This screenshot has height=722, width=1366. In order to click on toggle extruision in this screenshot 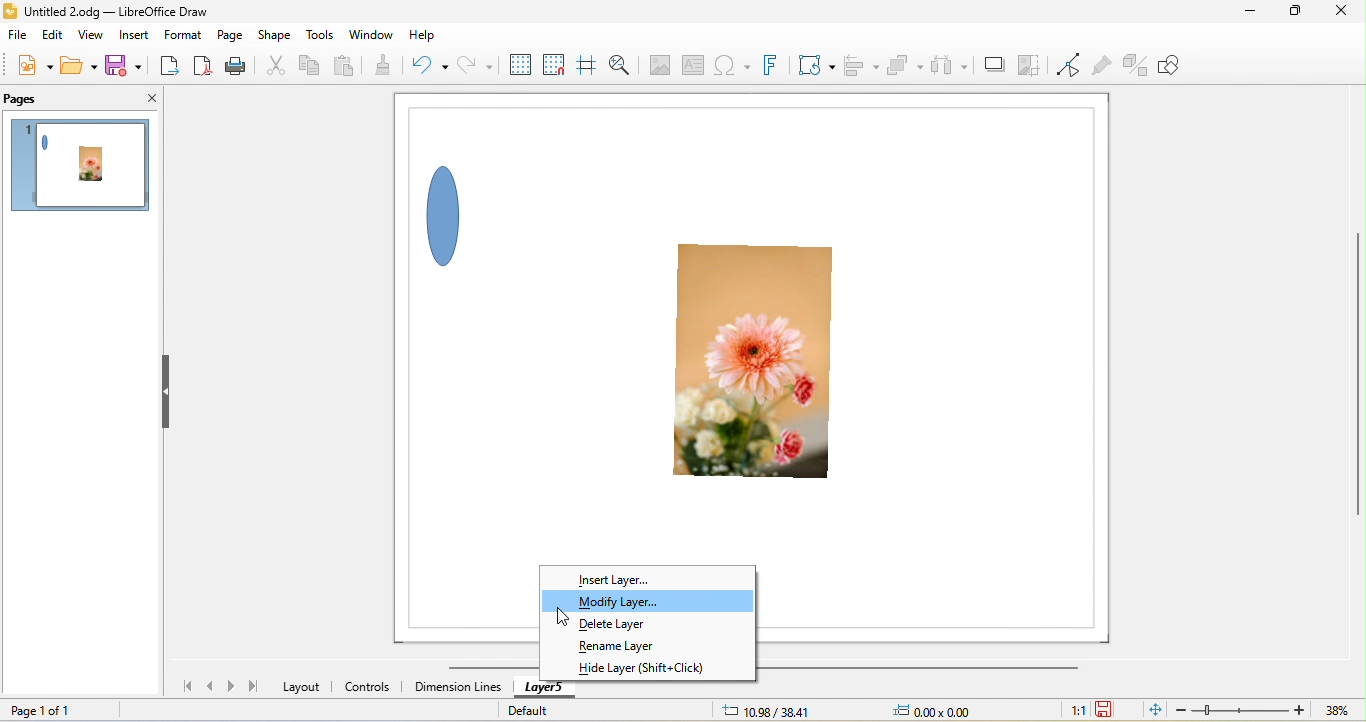, I will do `click(1136, 65)`.